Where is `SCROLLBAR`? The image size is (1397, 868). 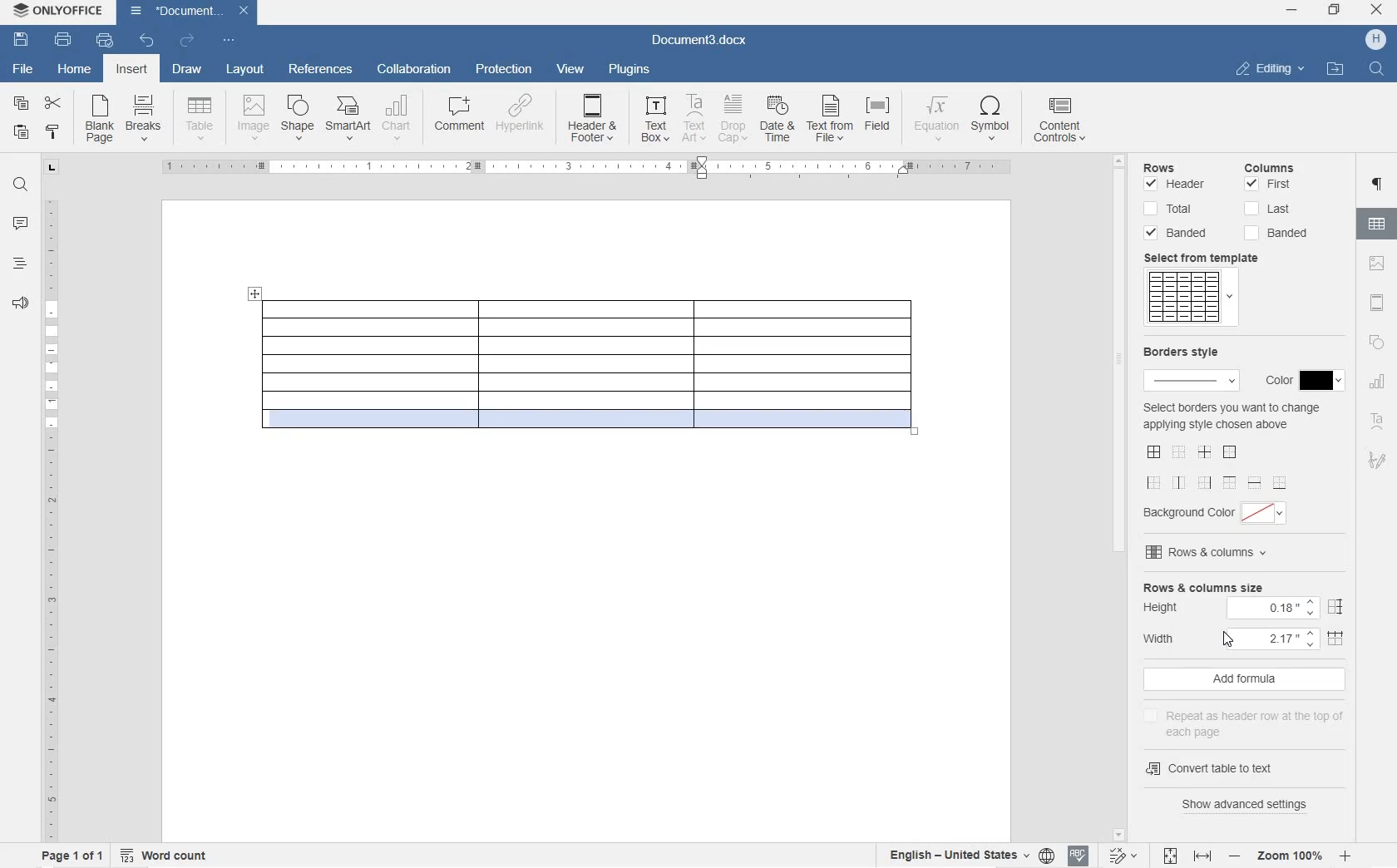 SCROLLBAR is located at coordinates (1118, 499).